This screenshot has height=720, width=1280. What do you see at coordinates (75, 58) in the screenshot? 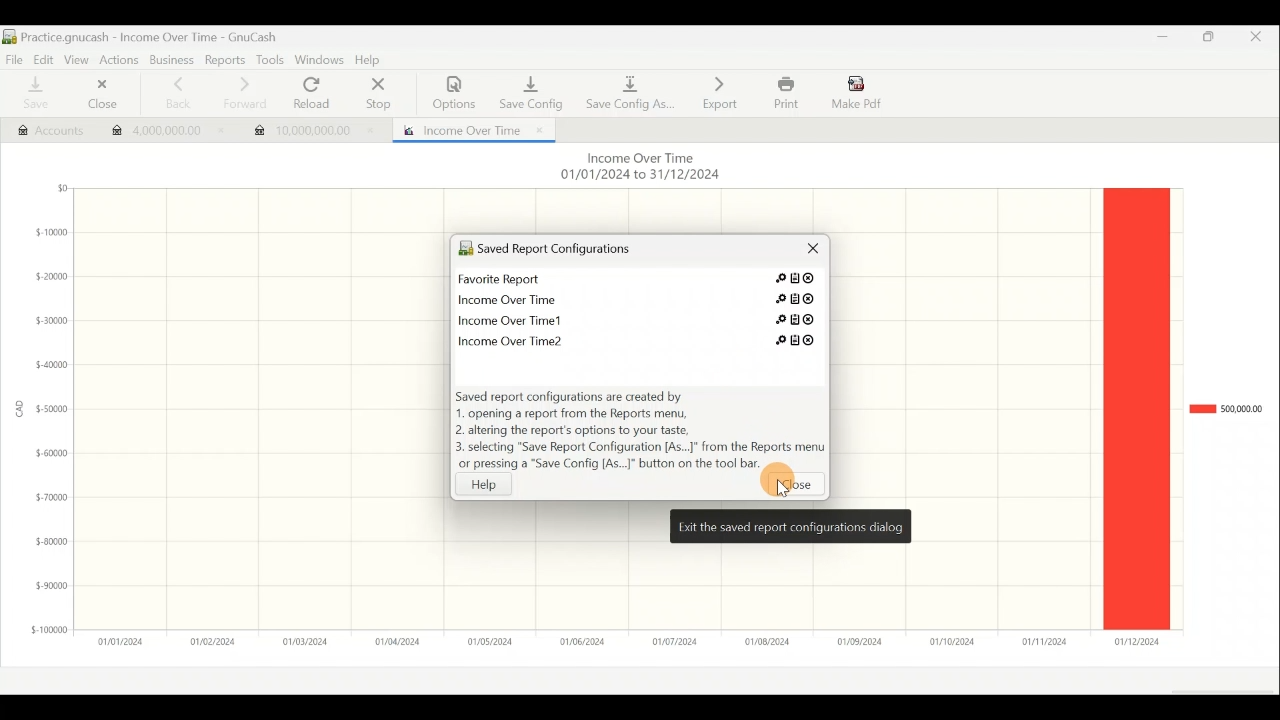
I see `View` at bounding box center [75, 58].